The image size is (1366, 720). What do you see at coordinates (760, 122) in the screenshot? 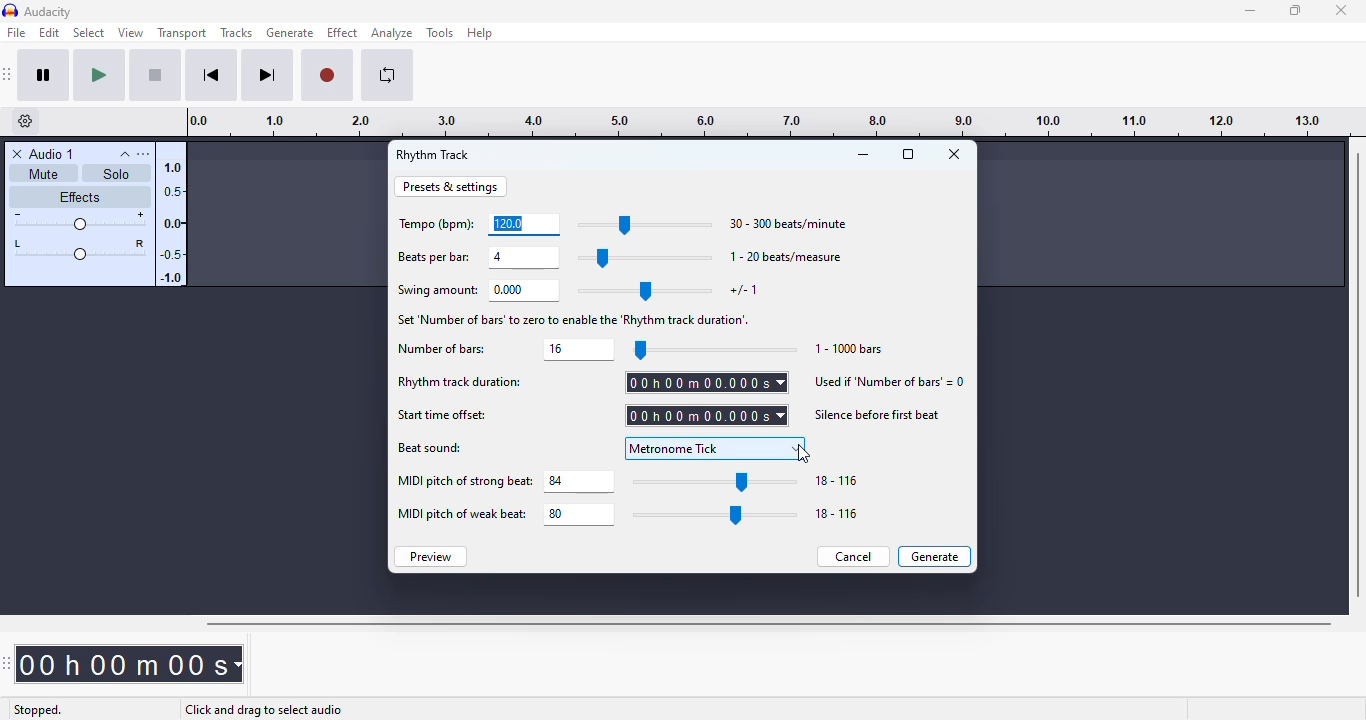
I see `timeline` at bounding box center [760, 122].